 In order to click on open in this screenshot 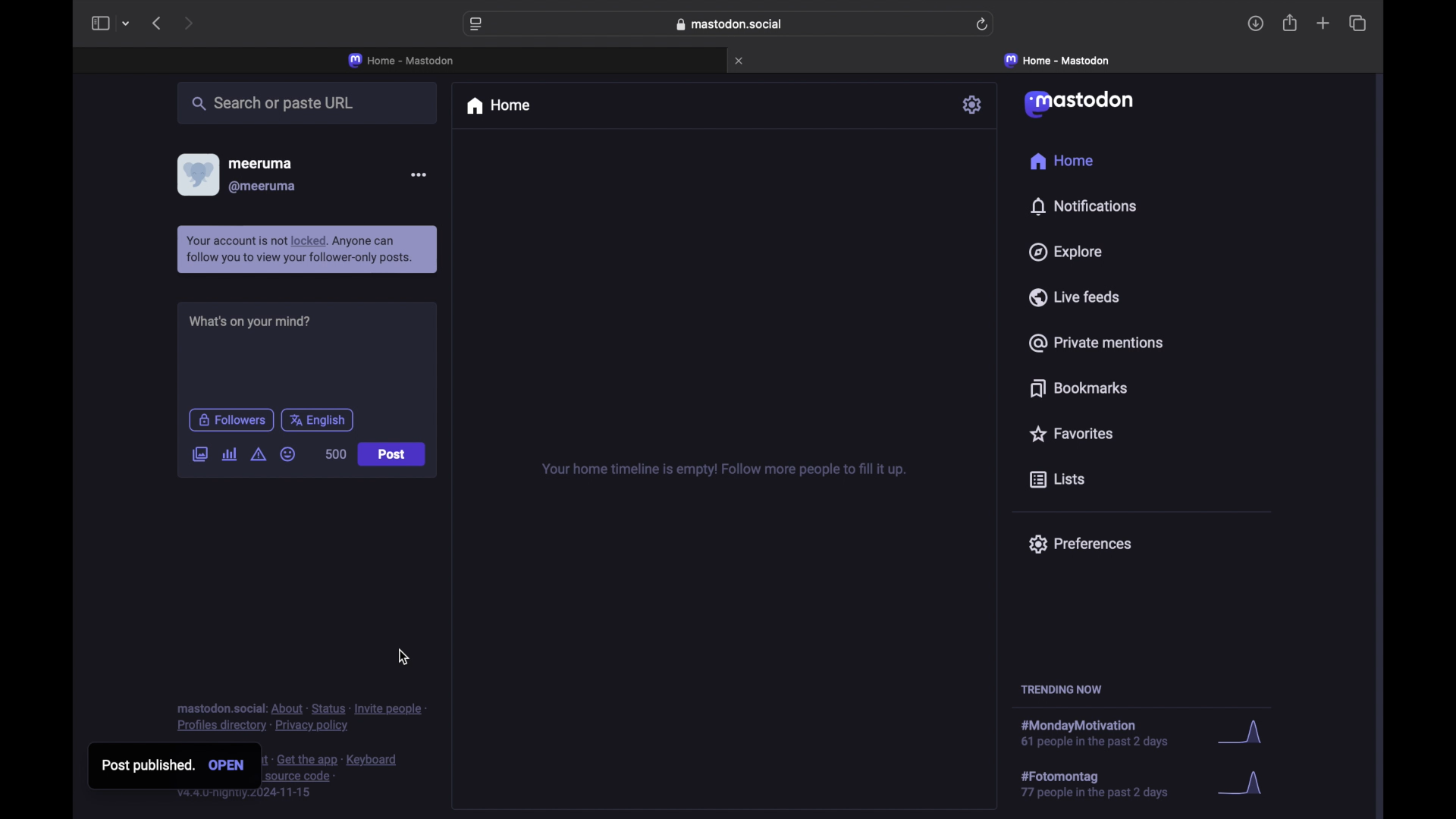, I will do `click(229, 766)`.